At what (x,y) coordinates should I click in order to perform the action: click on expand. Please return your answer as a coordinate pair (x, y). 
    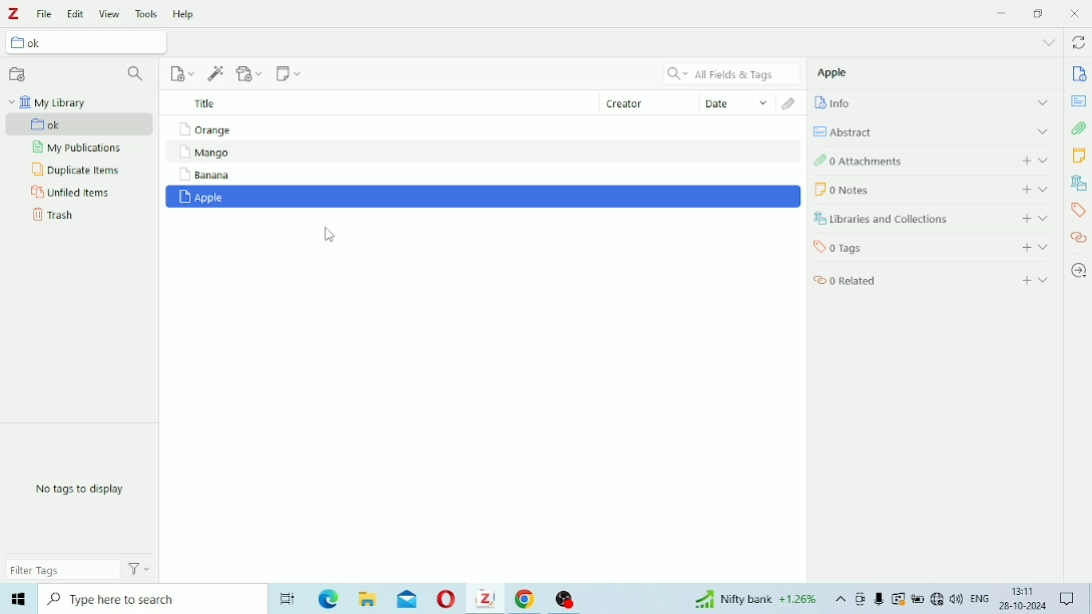
    Looking at the image, I should click on (1039, 101).